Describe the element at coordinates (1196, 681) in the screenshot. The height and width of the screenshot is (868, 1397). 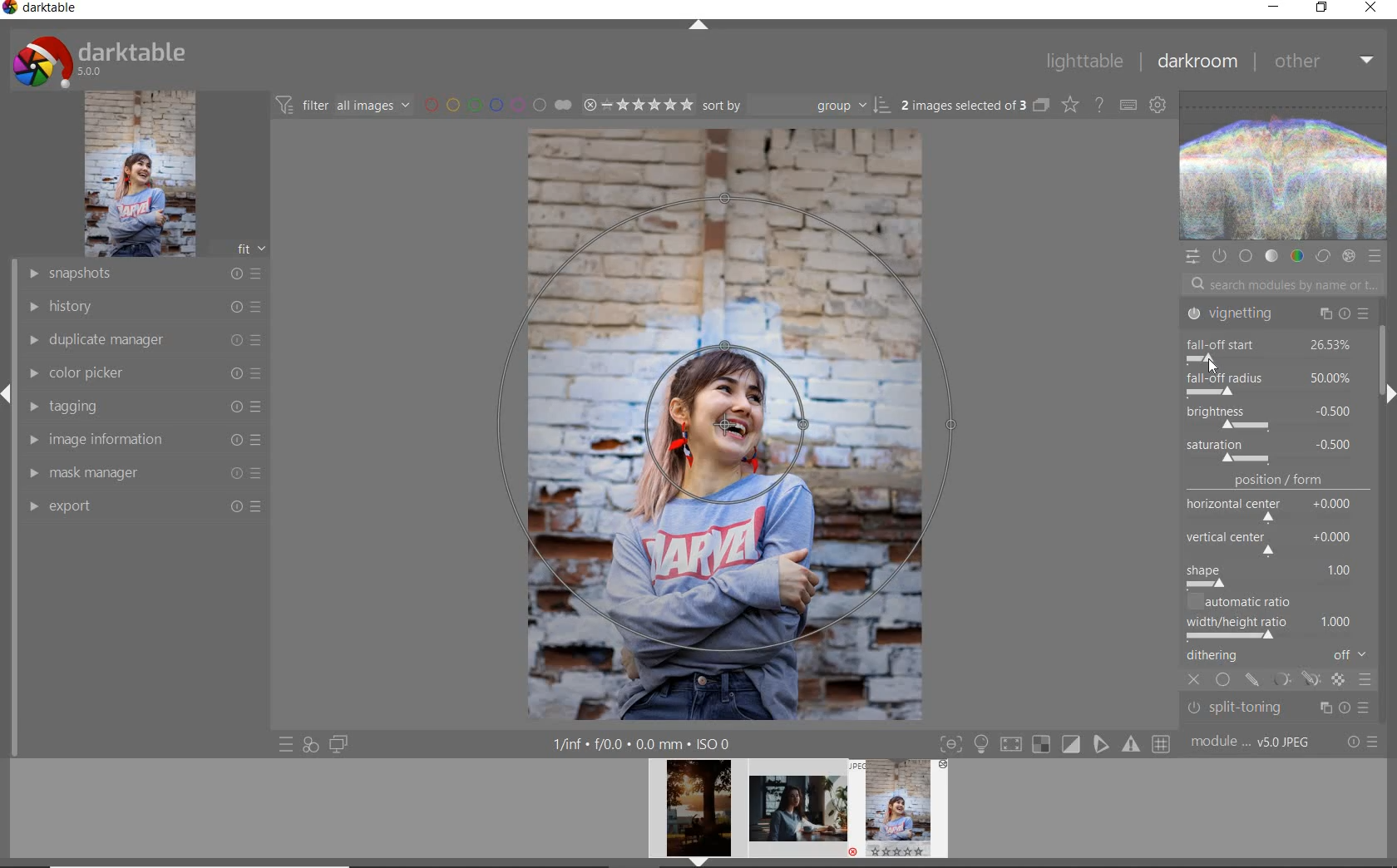
I see `close` at that location.